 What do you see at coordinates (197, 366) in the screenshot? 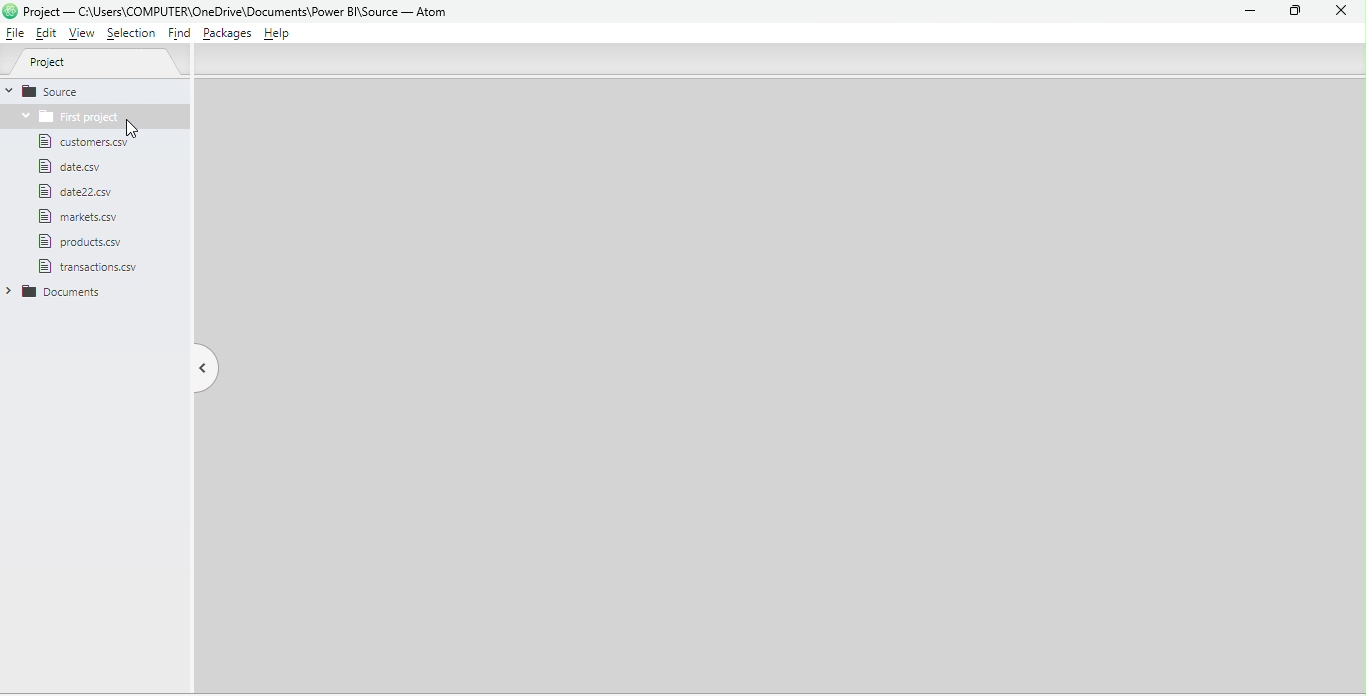
I see `Toggle tree view` at bounding box center [197, 366].